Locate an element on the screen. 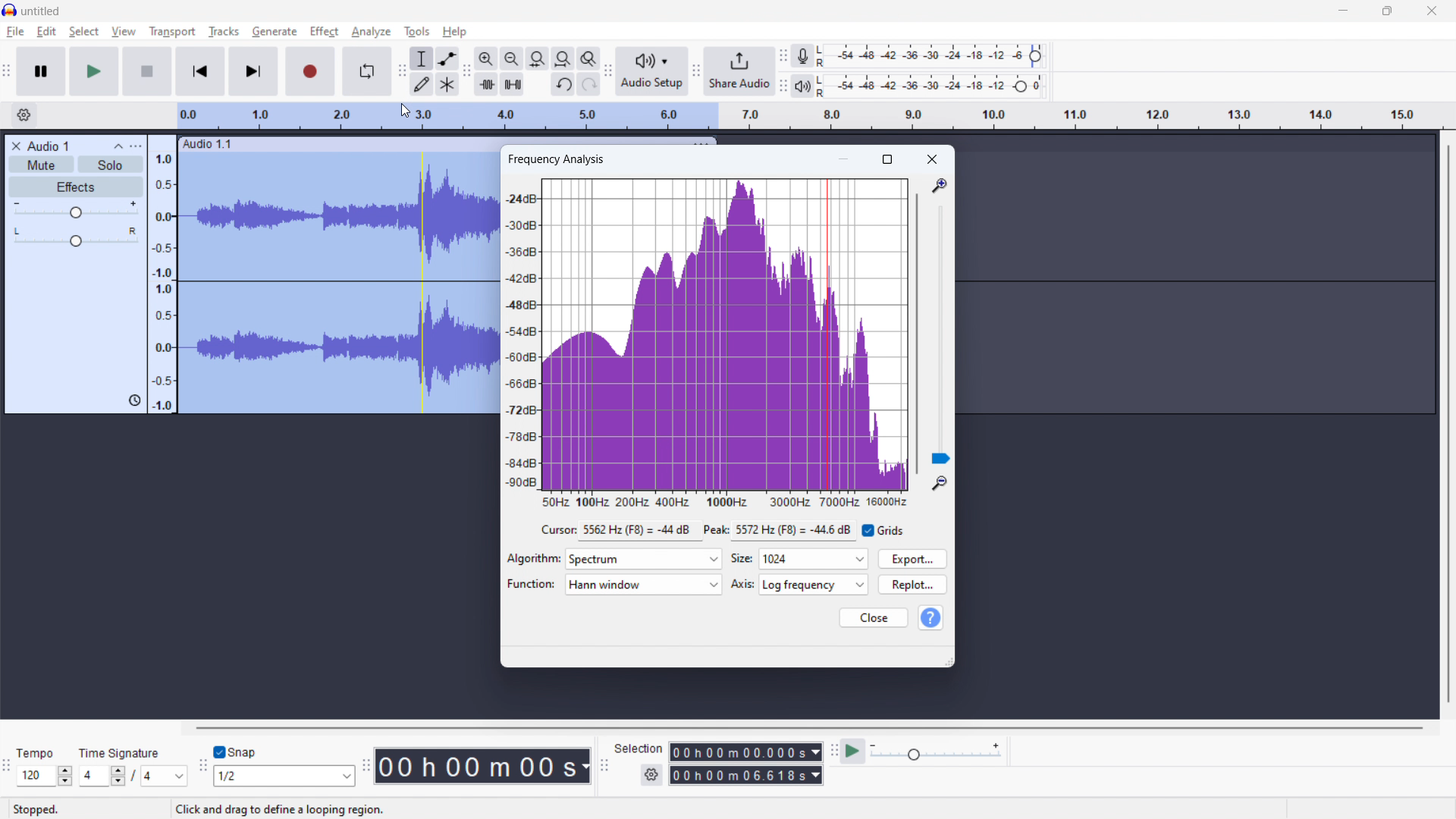  maximize is located at coordinates (1386, 11).